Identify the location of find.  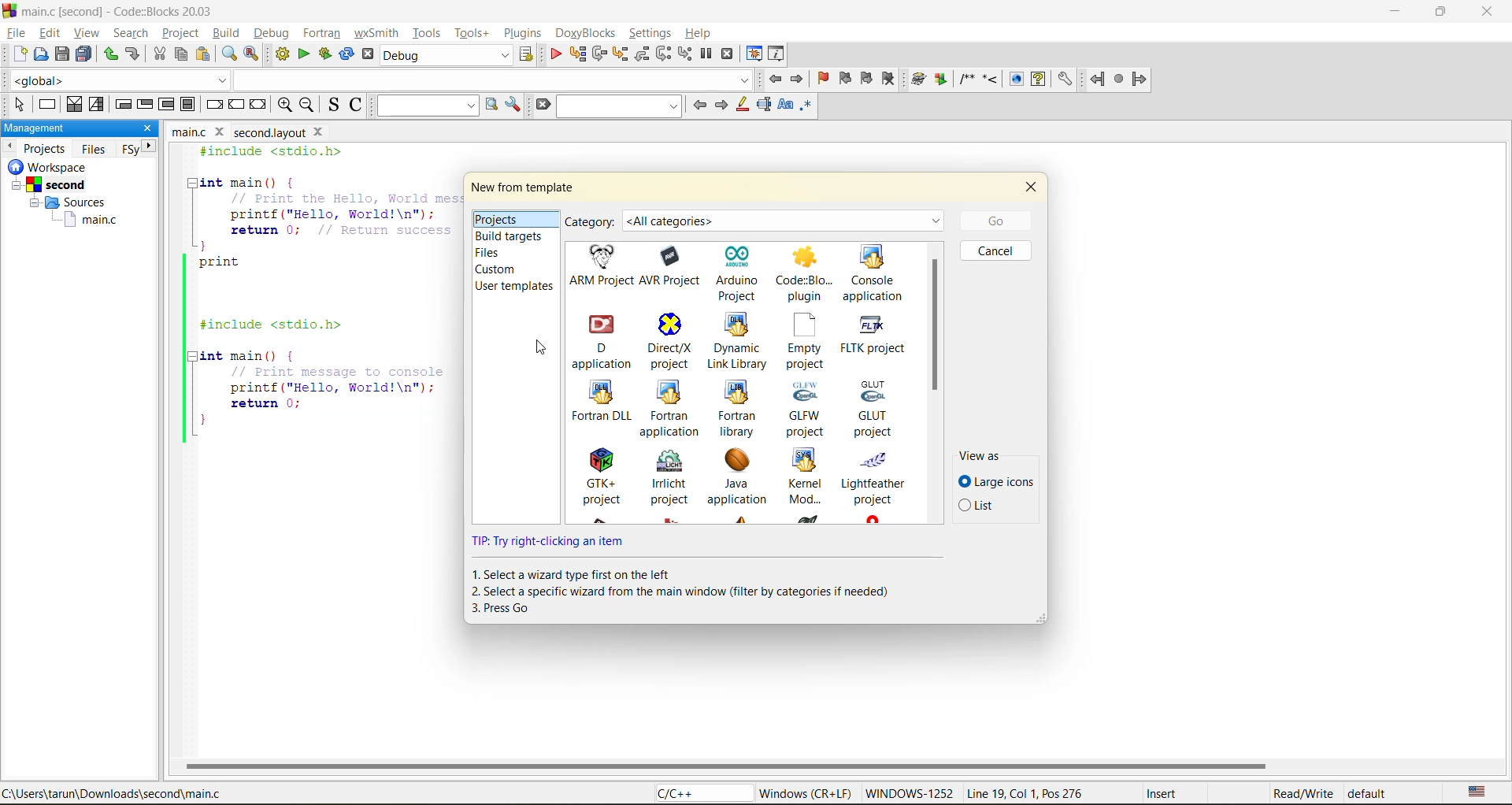
(231, 54).